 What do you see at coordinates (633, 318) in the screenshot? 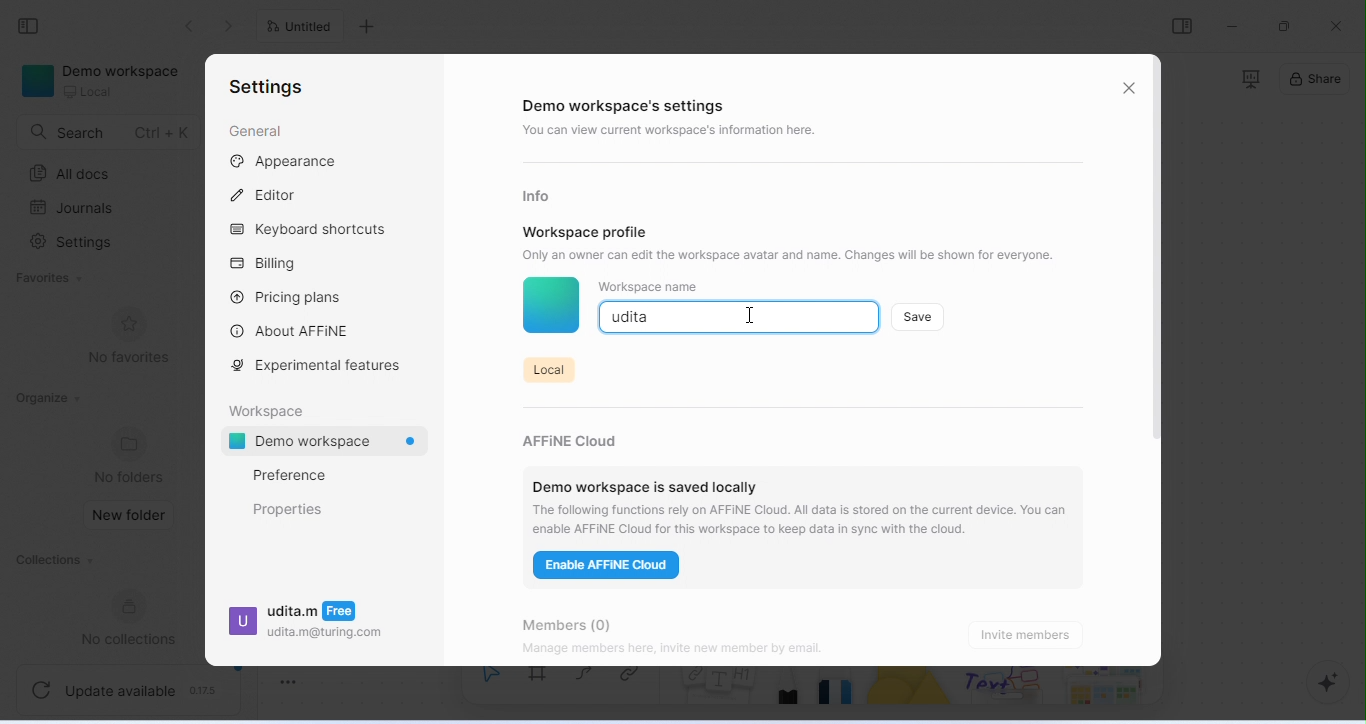
I see `udita` at bounding box center [633, 318].